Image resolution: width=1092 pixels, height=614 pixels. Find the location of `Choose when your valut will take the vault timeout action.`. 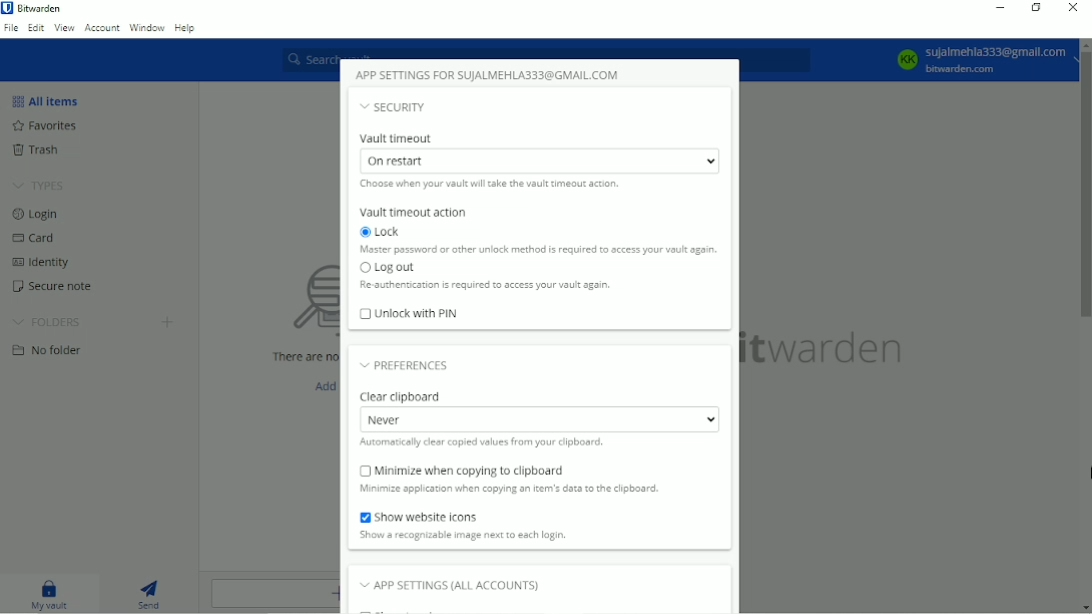

Choose when your valut will take the vault timeout action. is located at coordinates (498, 184).